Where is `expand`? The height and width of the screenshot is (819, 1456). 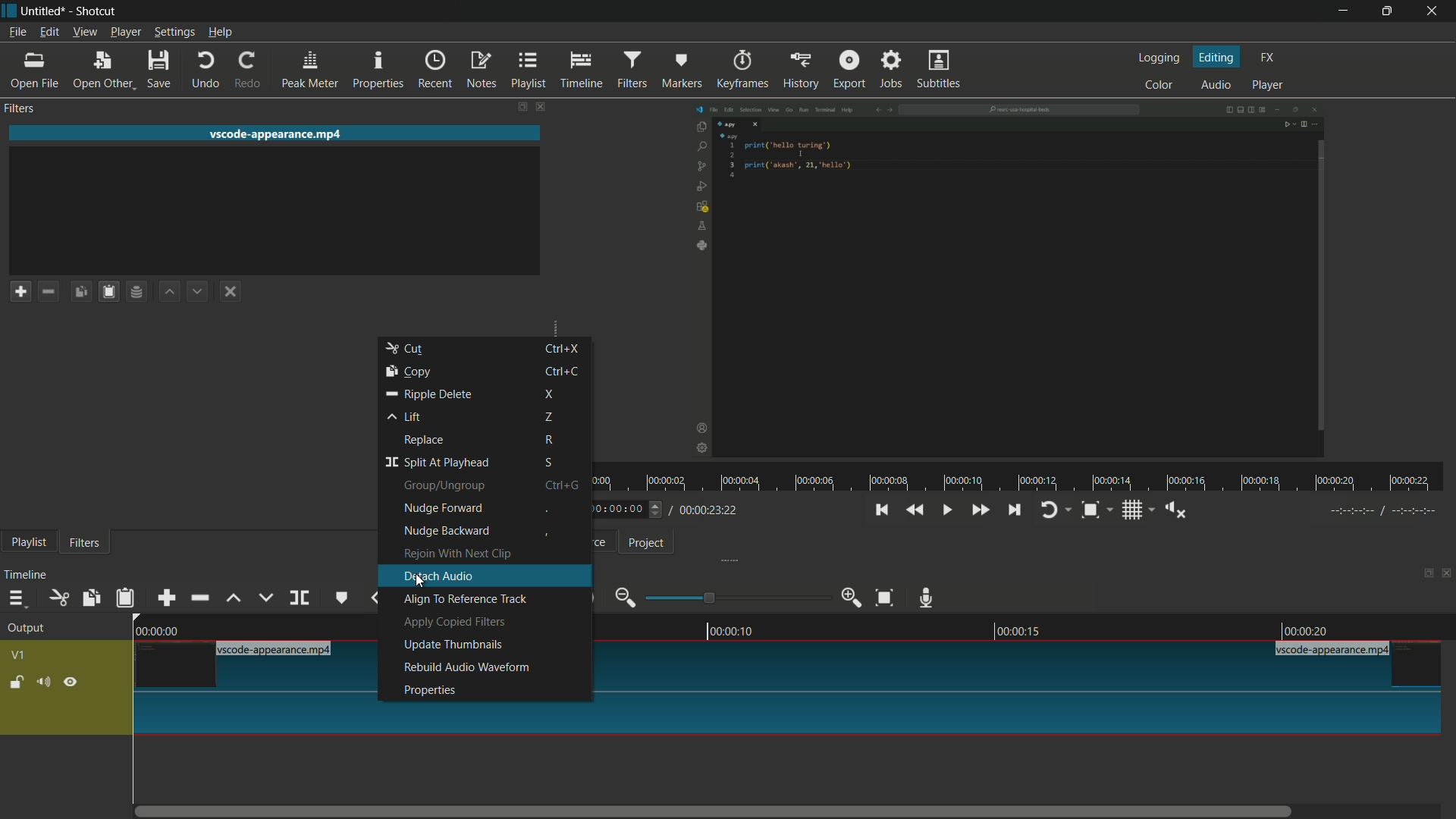 expand is located at coordinates (548, 322).